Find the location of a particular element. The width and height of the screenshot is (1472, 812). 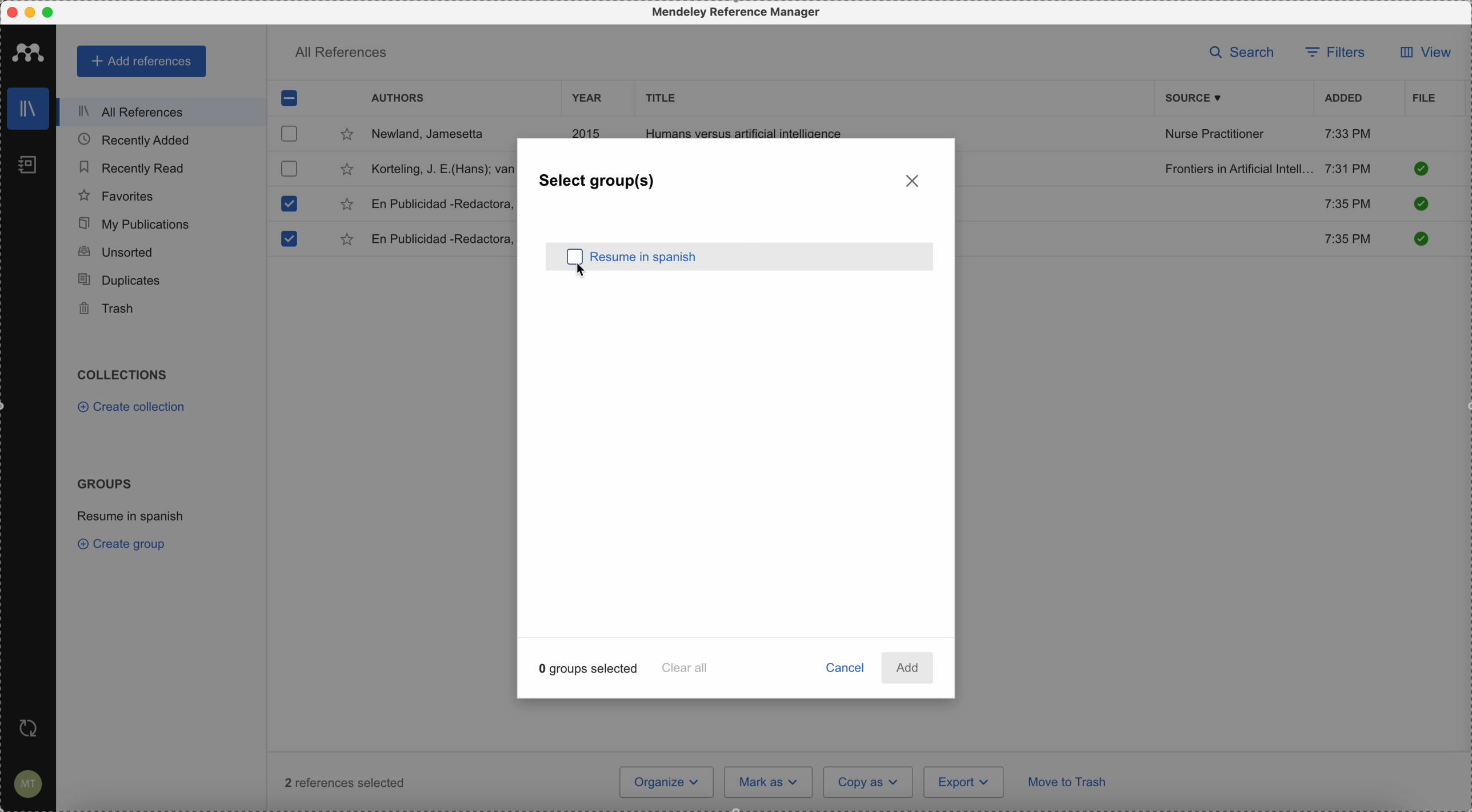

Frontiers in Artificial Intelligence is located at coordinates (1238, 169).